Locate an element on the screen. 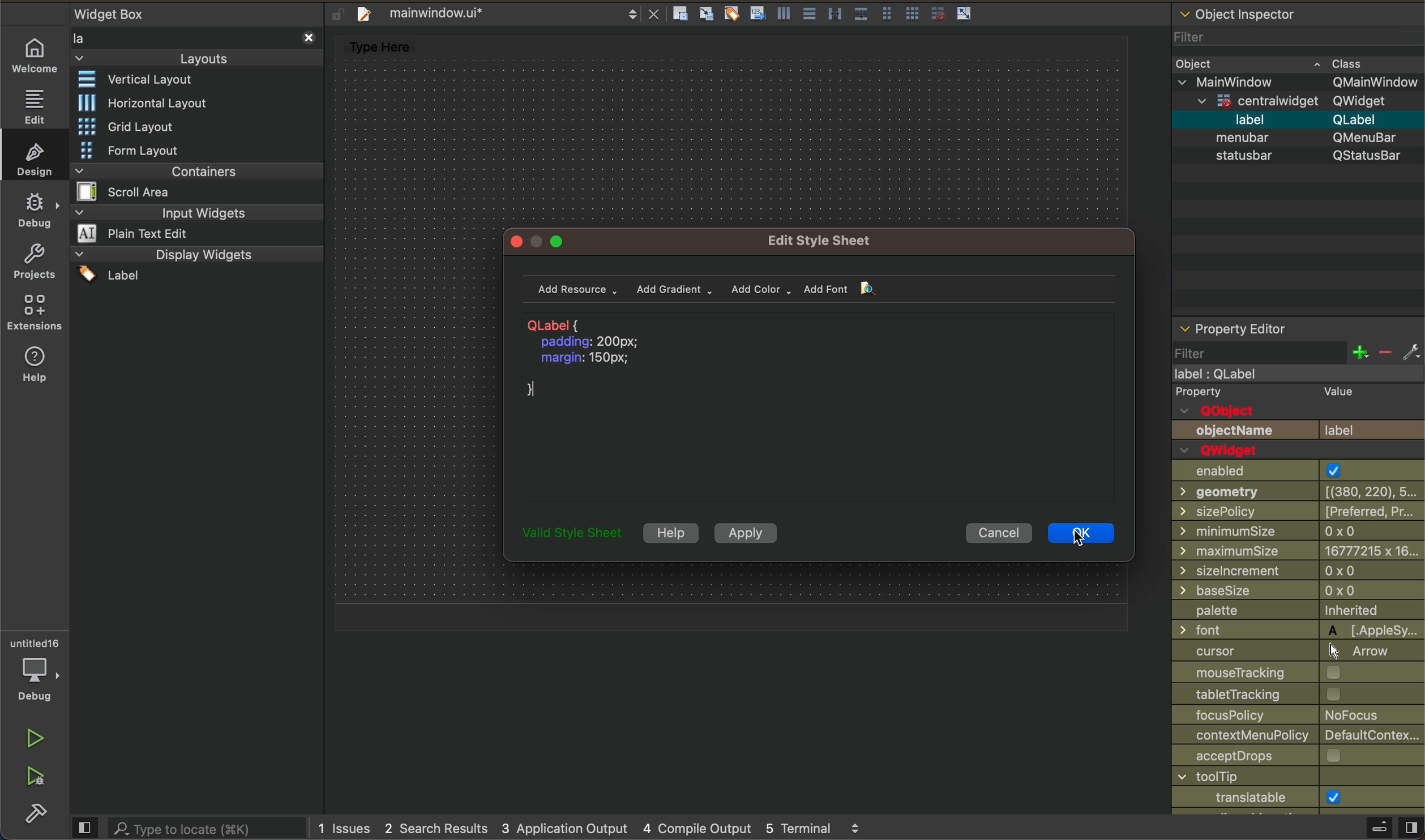 Image resolution: width=1425 pixels, height=840 pixels. run is located at coordinates (35, 742).